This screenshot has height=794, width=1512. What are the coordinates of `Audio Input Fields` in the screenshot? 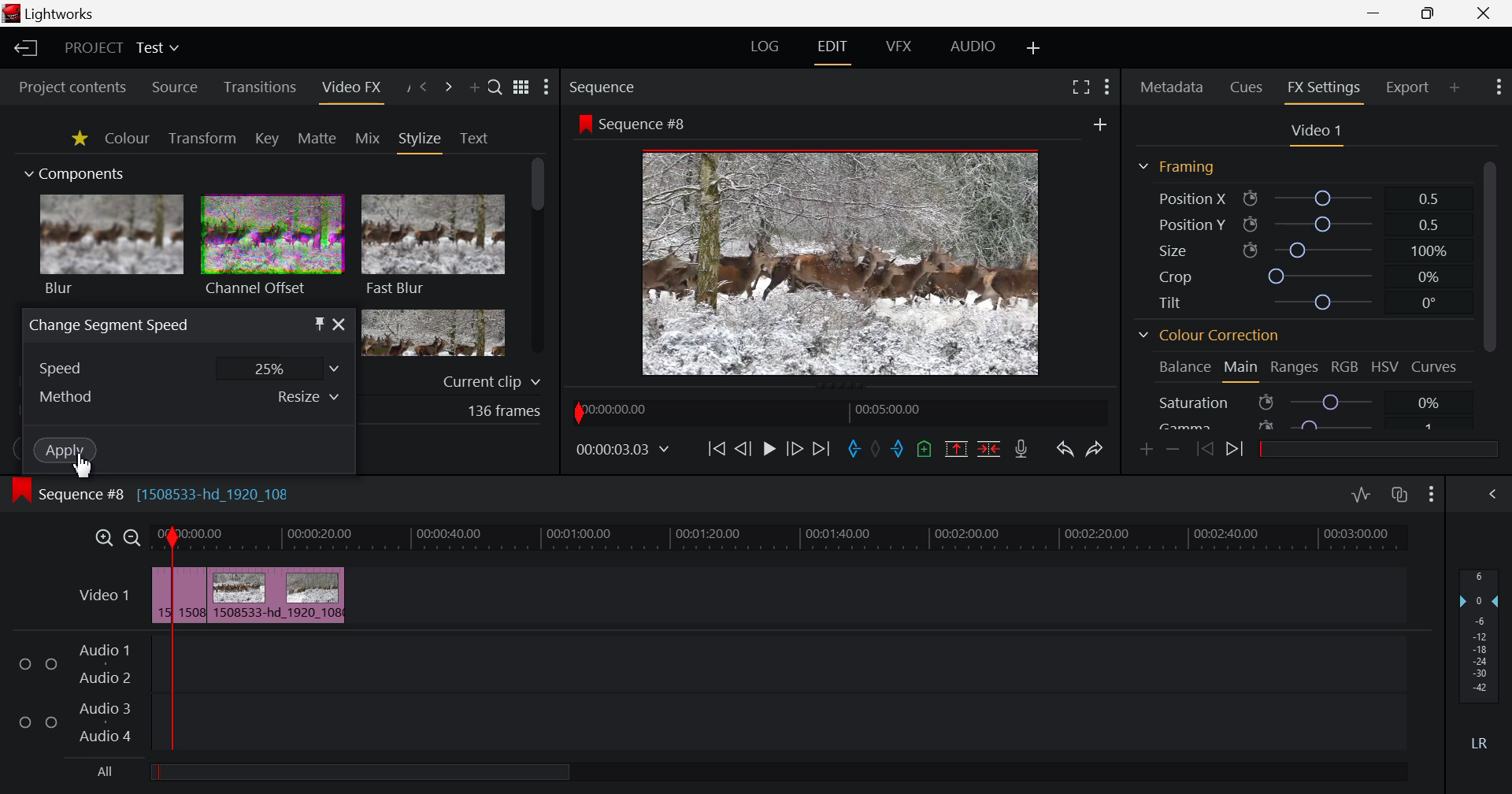 It's located at (703, 695).